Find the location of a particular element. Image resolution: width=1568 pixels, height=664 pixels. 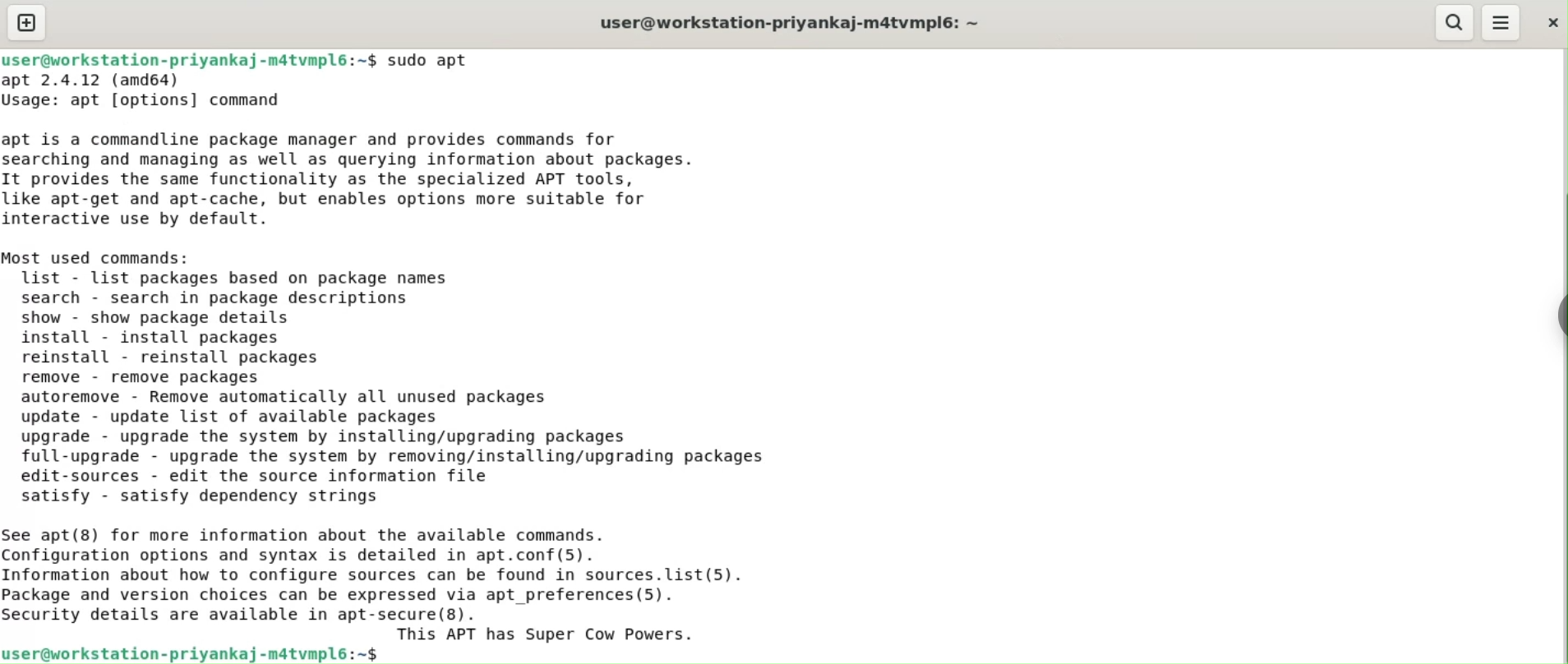

satisfy - satisfy dependency strings
ee apt(8) for more information about the available commands.
onfiguration options and syntax is detailed in apt.conf(5).
nformation about how to configure sources can be found in sources.list(5).
ackage and version choices can be expressed via apt _preferences(5).
ecurity details are available in apt-secure(8).
This APT has Super Cow Powers. is located at coordinates (389, 562).